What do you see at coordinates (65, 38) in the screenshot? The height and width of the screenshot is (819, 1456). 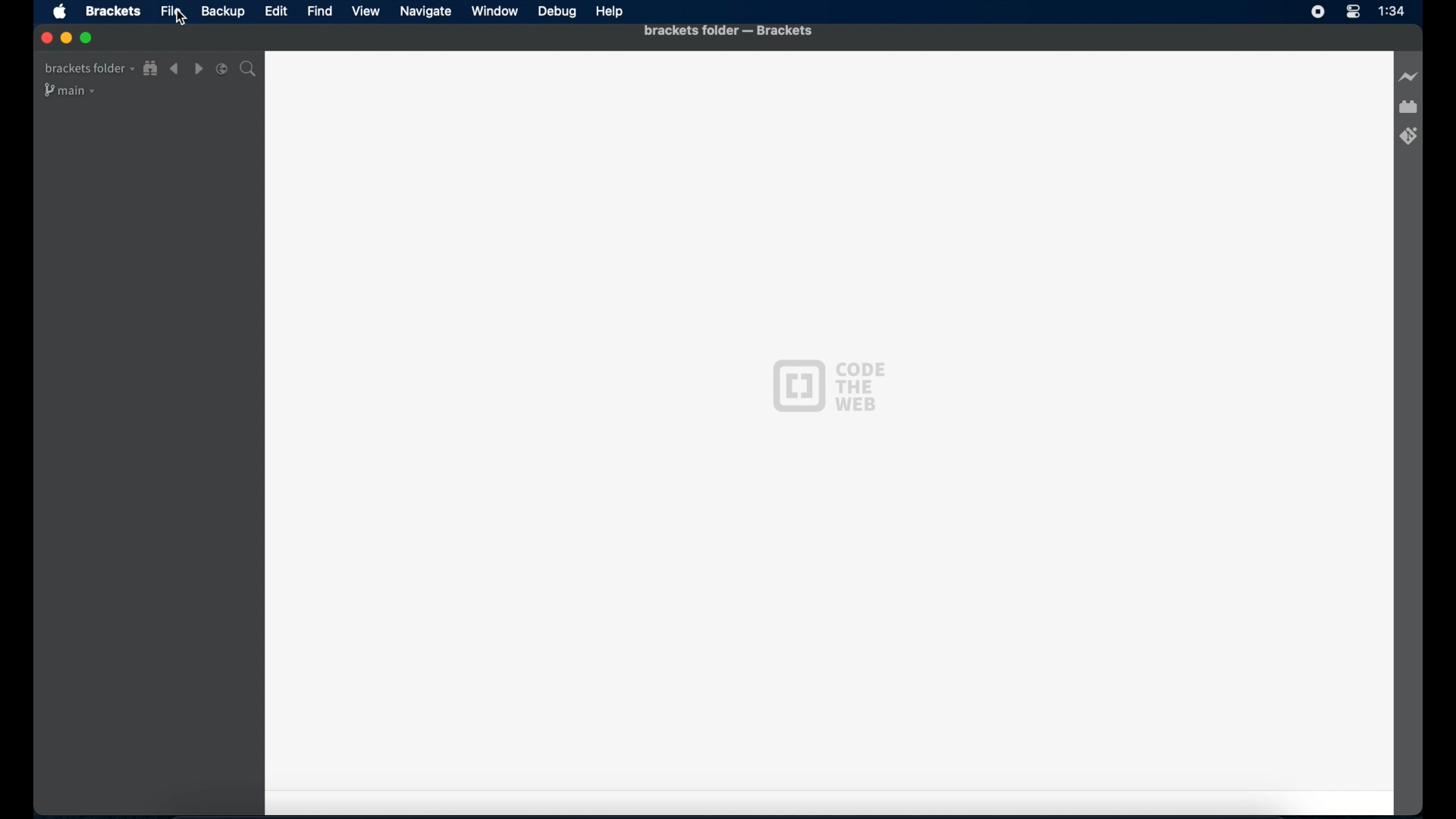 I see `Minimize` at bounding box center [65, 38].